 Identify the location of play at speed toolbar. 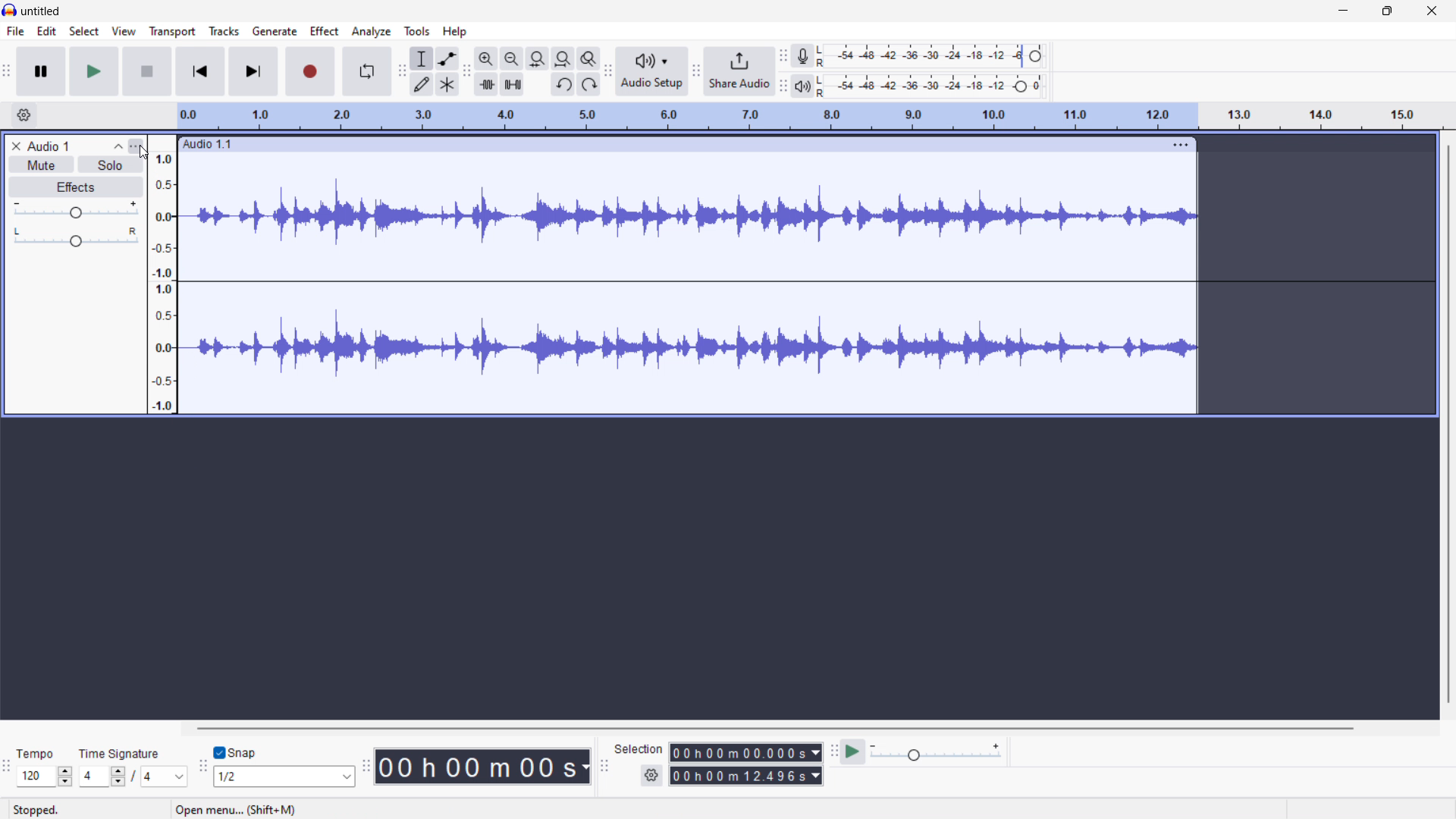
(833, 752).